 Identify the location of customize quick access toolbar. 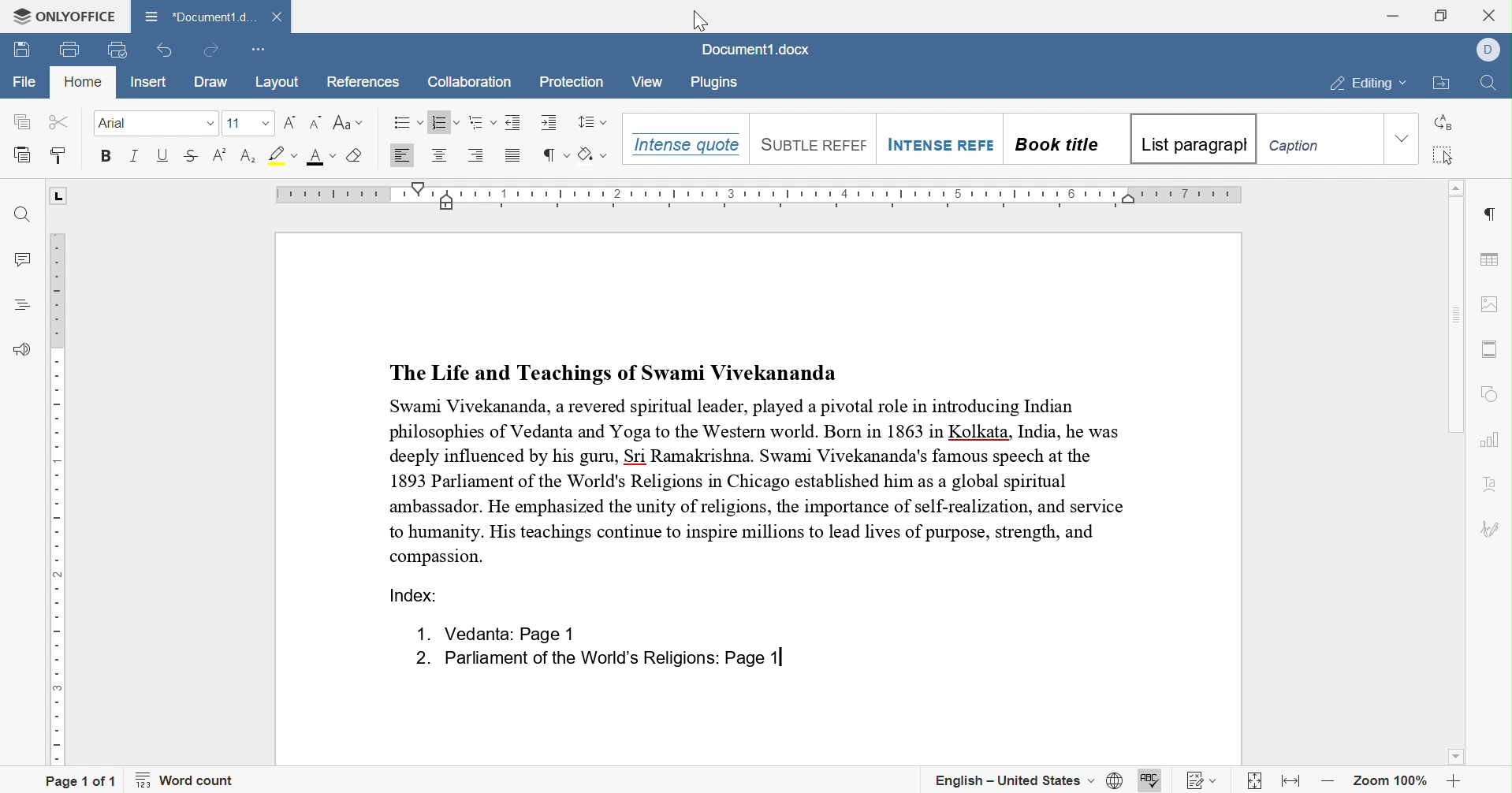
(256, 52).